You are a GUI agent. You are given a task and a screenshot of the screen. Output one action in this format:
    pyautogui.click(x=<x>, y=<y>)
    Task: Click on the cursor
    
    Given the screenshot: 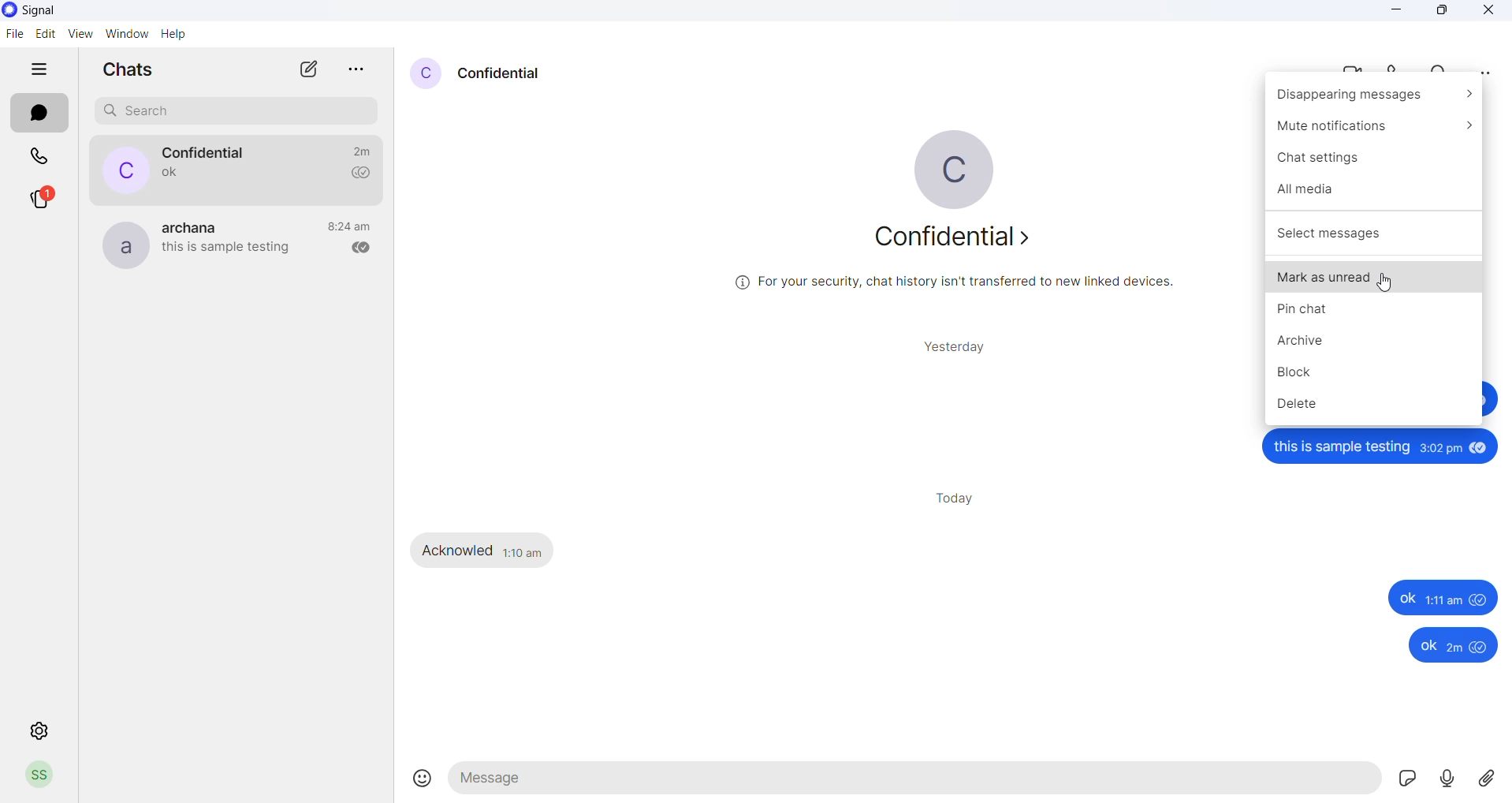 What is the action you would take?
    pyautogui.click(x=1386, y=284)
    